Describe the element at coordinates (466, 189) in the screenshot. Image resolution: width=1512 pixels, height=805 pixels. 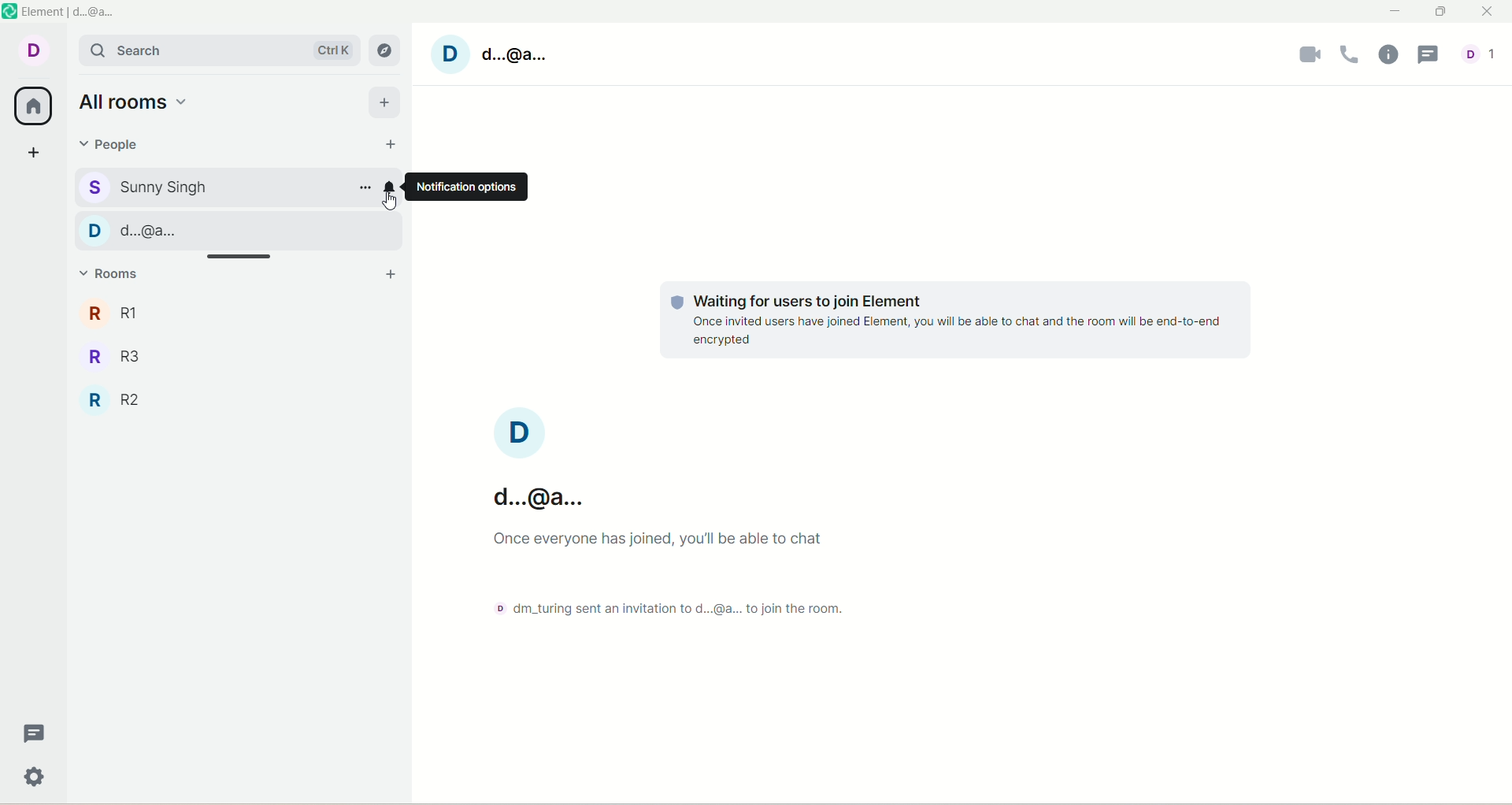
I see `notification options` at that location.